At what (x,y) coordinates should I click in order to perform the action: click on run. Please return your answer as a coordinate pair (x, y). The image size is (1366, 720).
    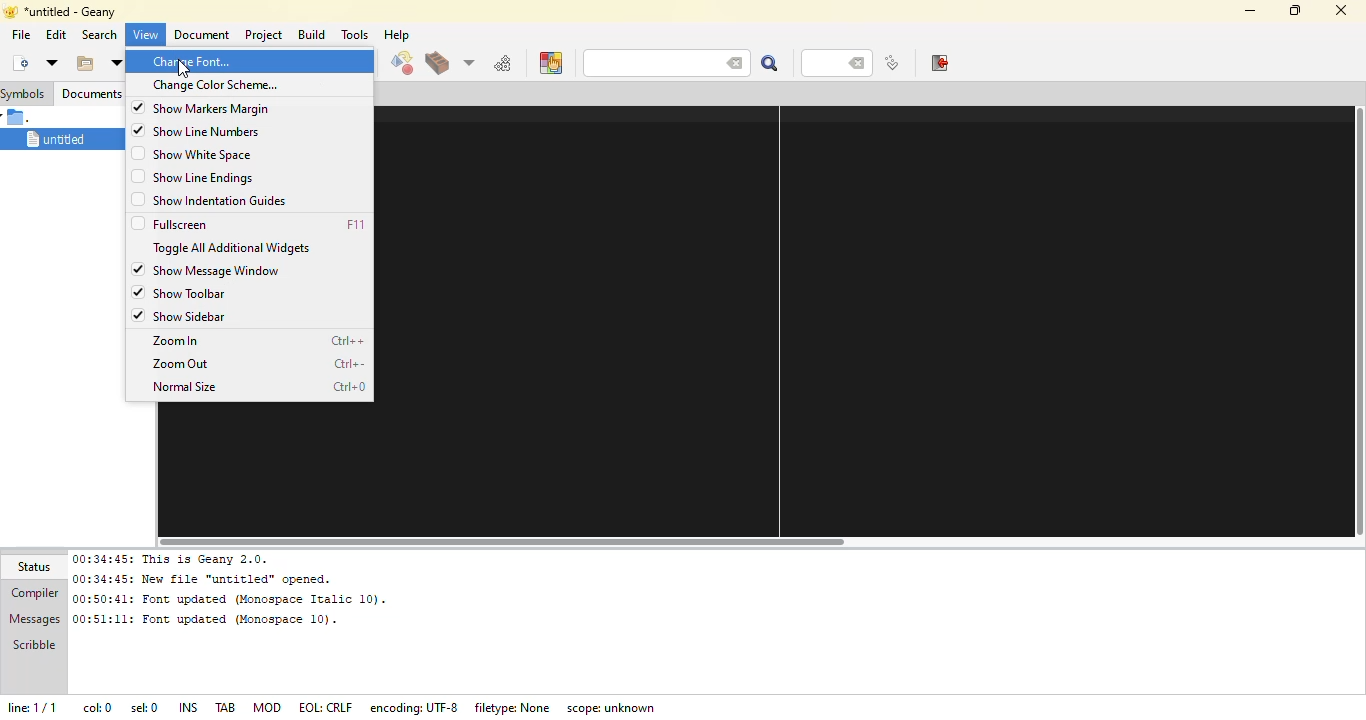
    Looking at the image, I should click on (503, 63).